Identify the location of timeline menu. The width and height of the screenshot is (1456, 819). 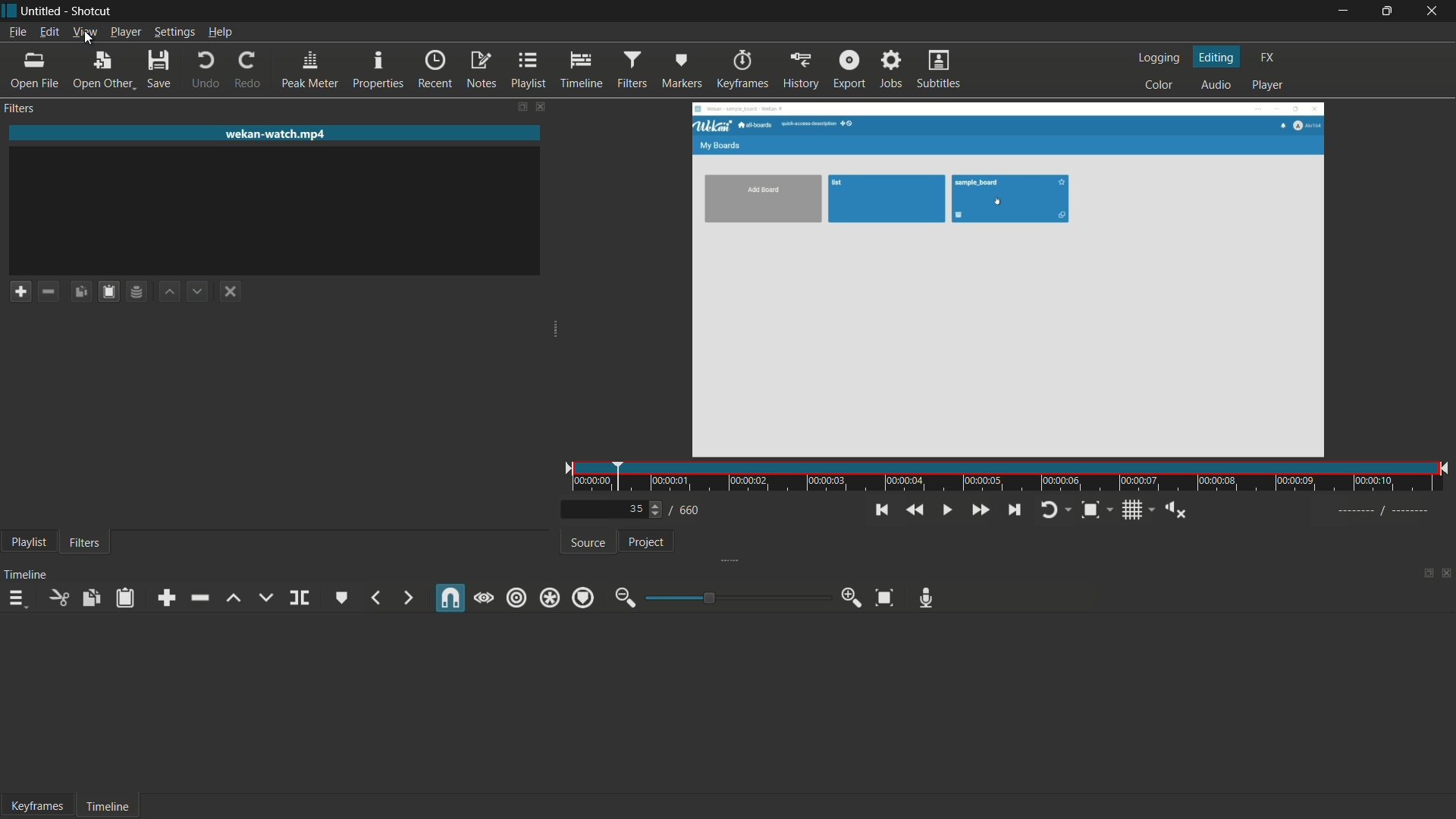
(16, 599).